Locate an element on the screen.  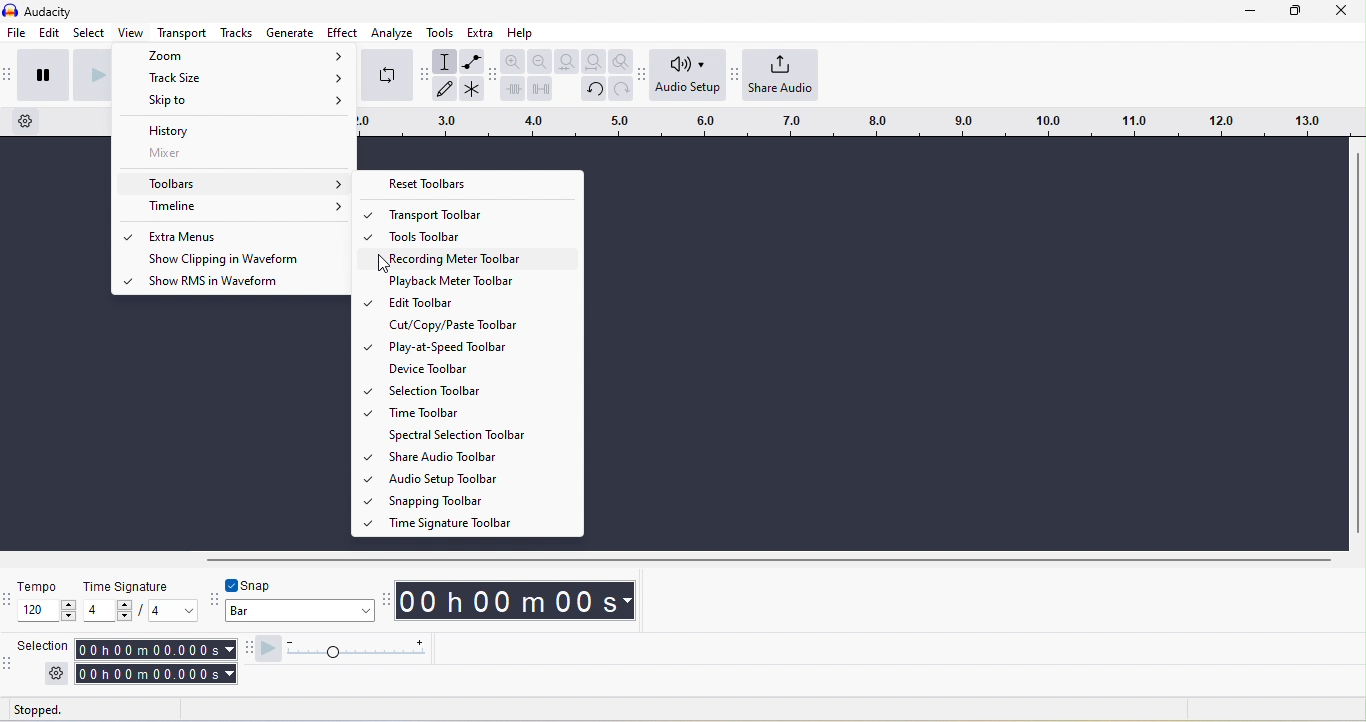
close is located at coordinates (1342, 11).